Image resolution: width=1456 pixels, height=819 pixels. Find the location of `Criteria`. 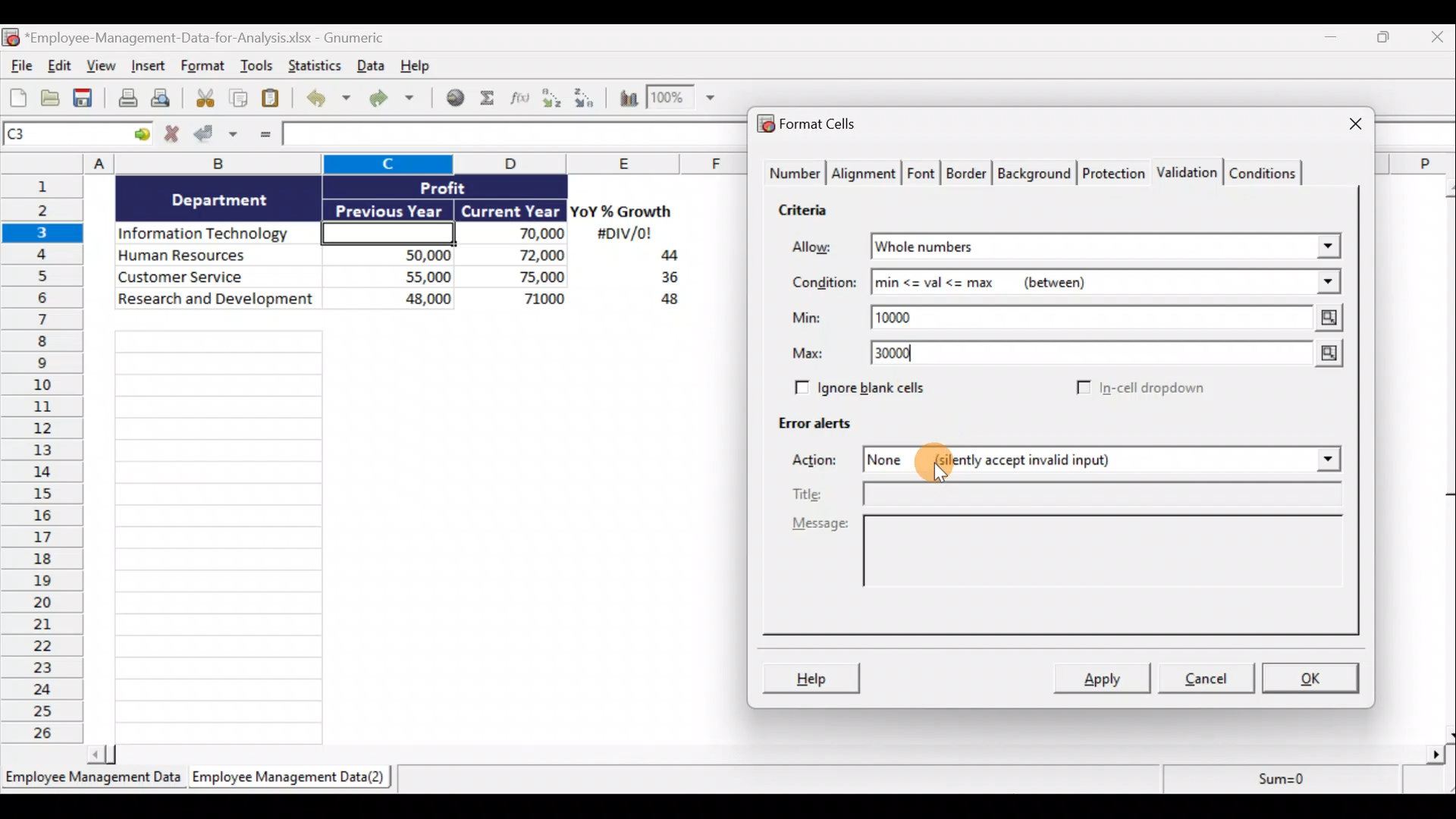

Criteria is located at coordinates (805, 212).